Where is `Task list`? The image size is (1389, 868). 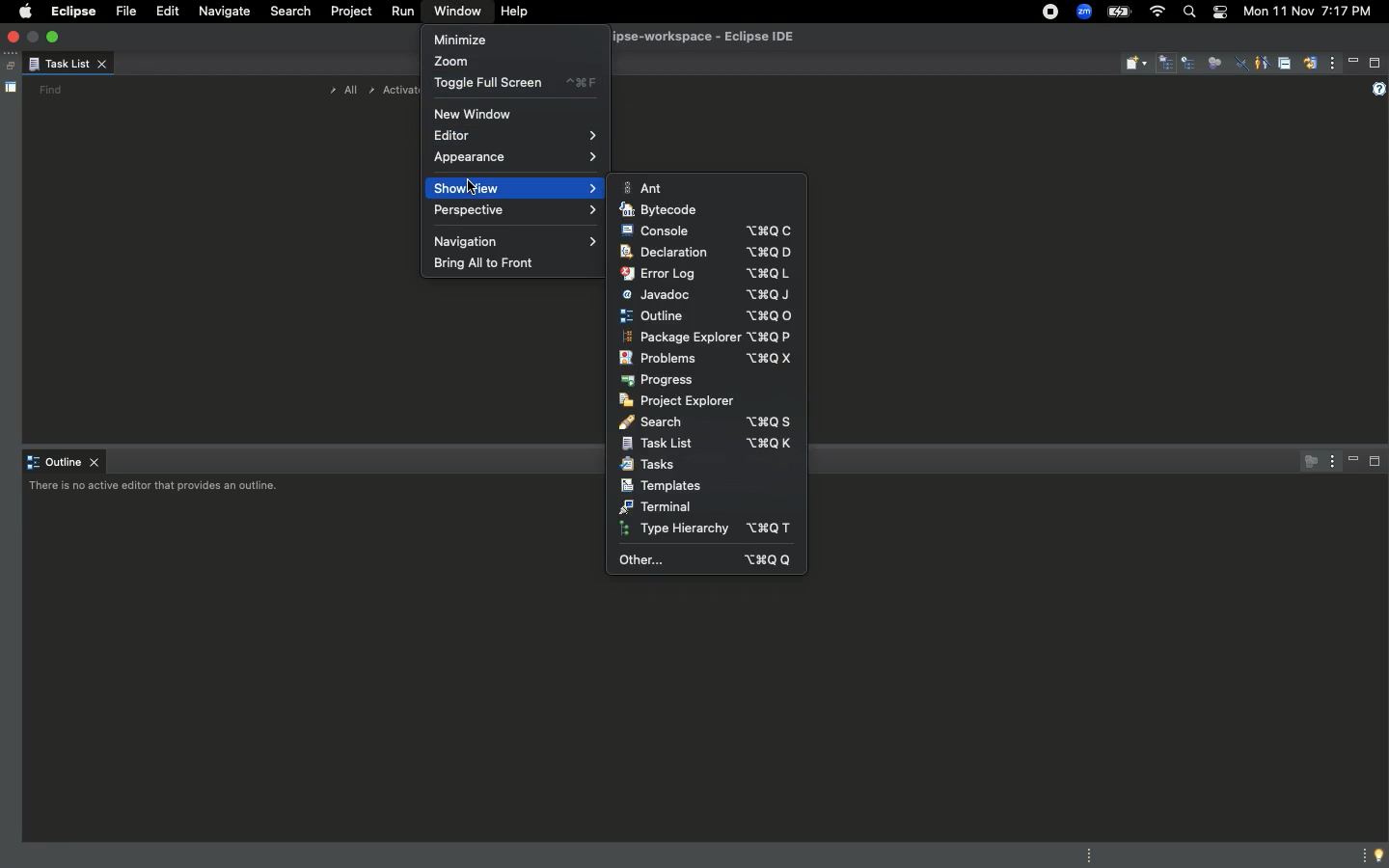
Task list is located at coordinates (706, 445).